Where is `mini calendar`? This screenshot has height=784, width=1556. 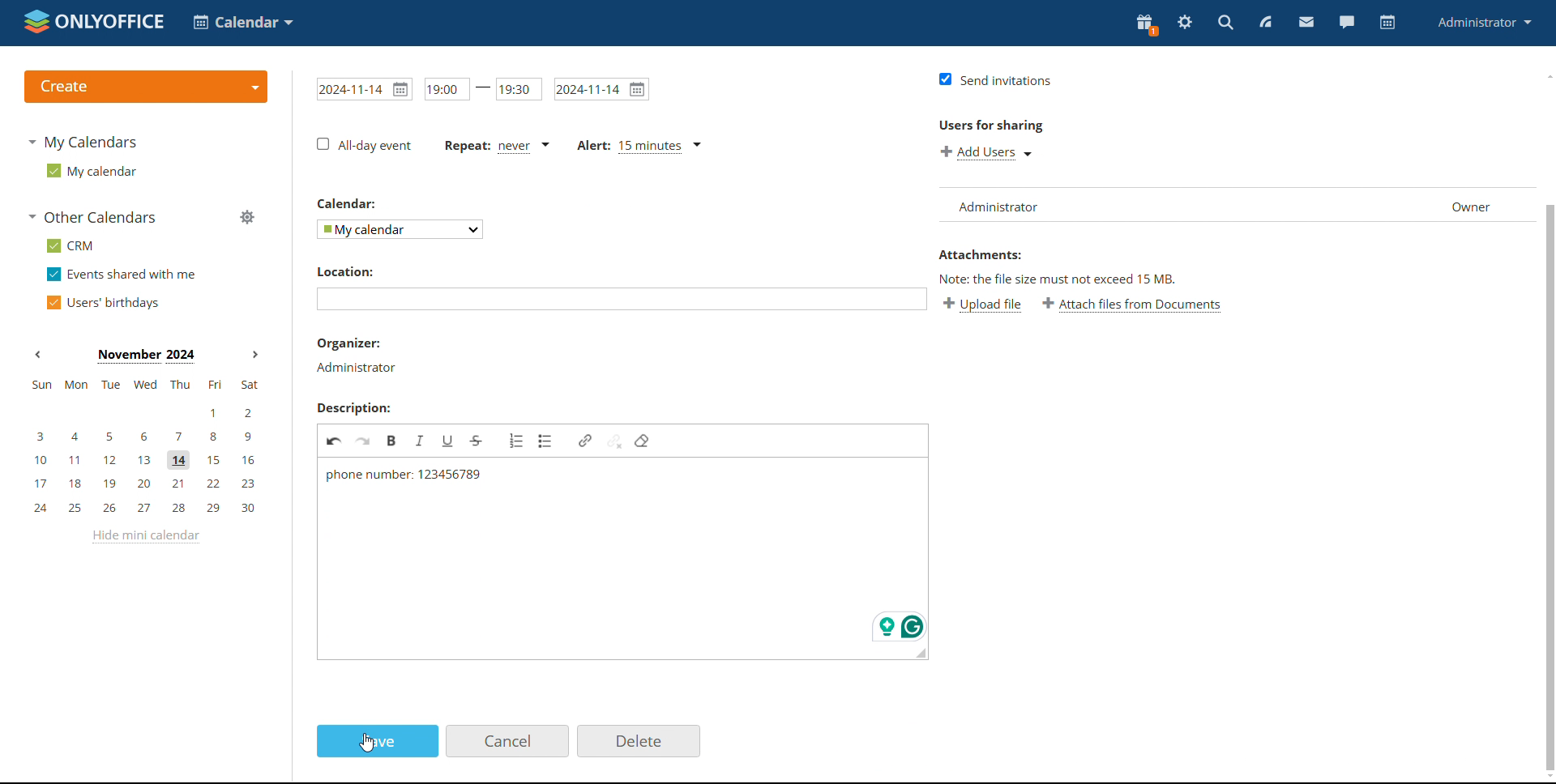
mini calendar is located at coordinates (143, 447).